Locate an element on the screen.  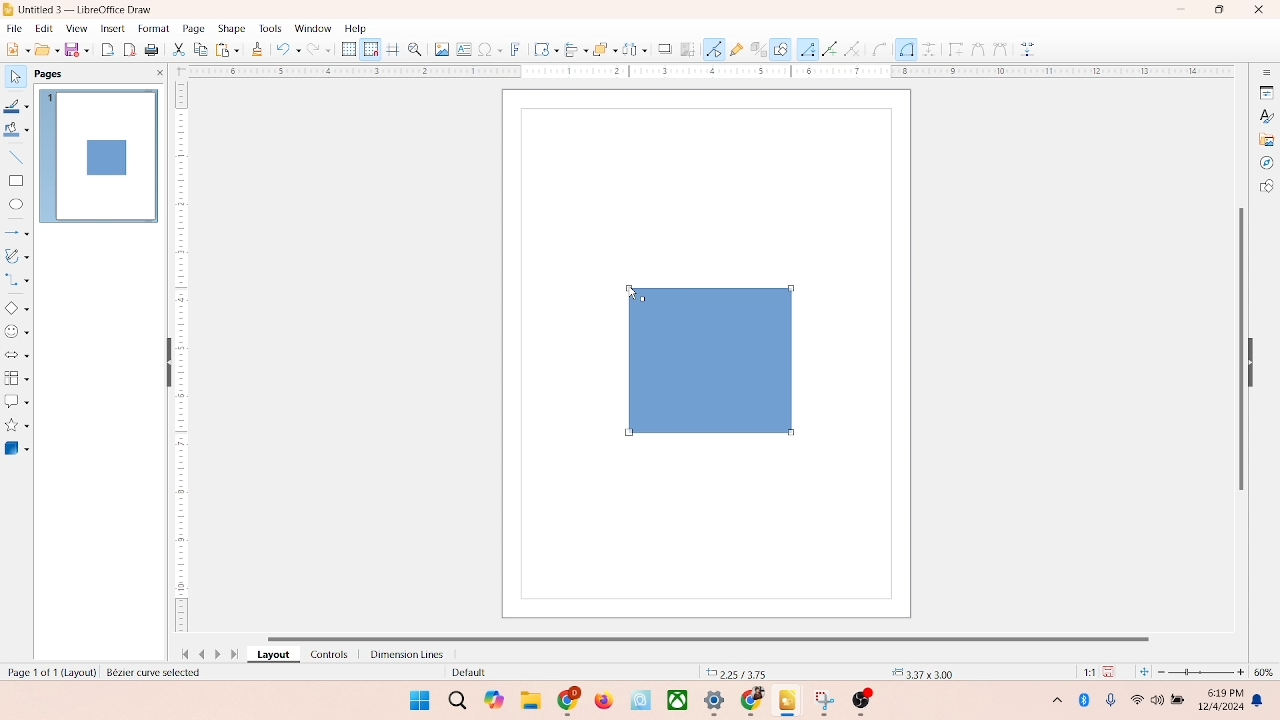
format is located at coordinates (153, 27).